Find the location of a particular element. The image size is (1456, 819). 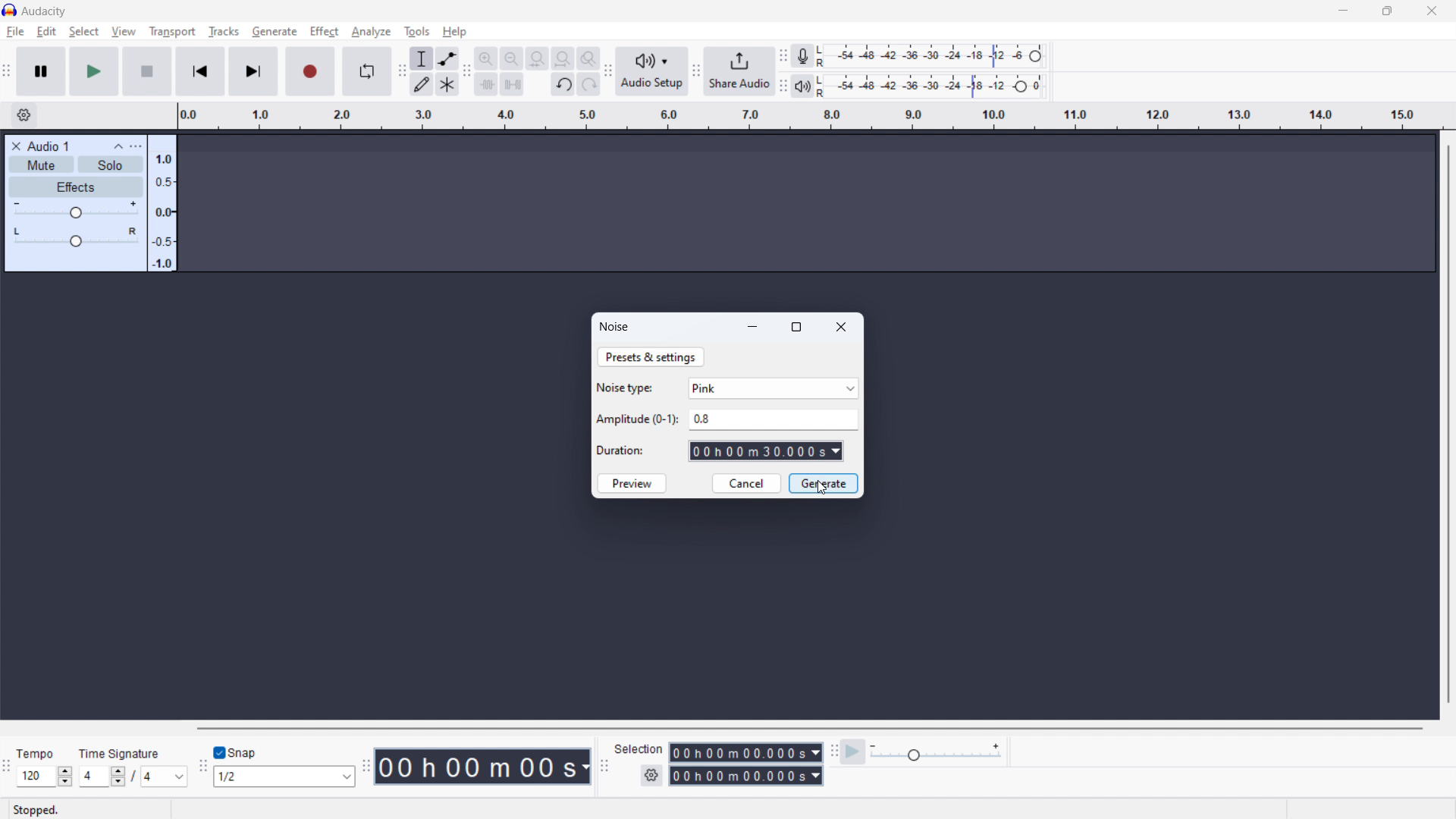

prestes & settings is located at coordinates (651, 358).